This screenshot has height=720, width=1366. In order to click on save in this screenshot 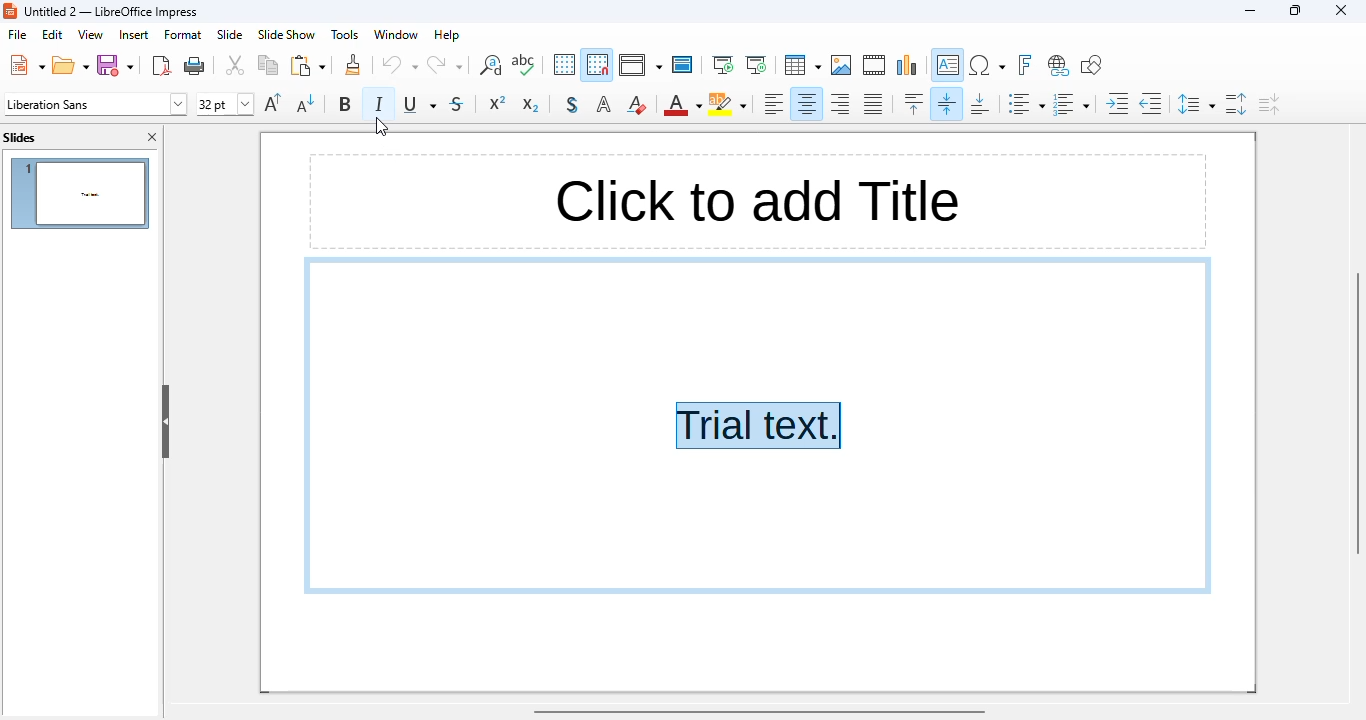, I will do `click(116, 65)`.